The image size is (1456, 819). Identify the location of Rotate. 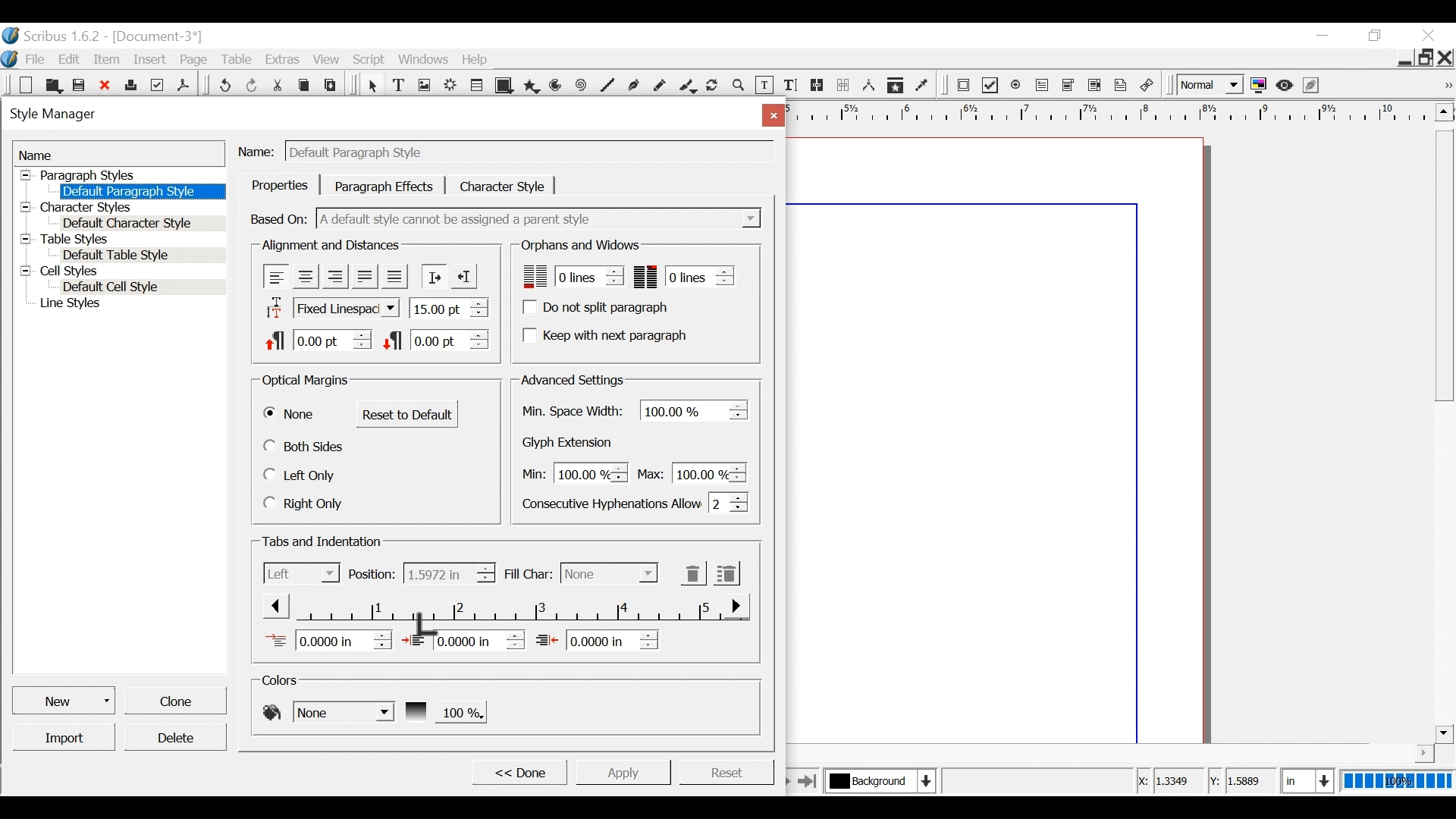
(713, 86).